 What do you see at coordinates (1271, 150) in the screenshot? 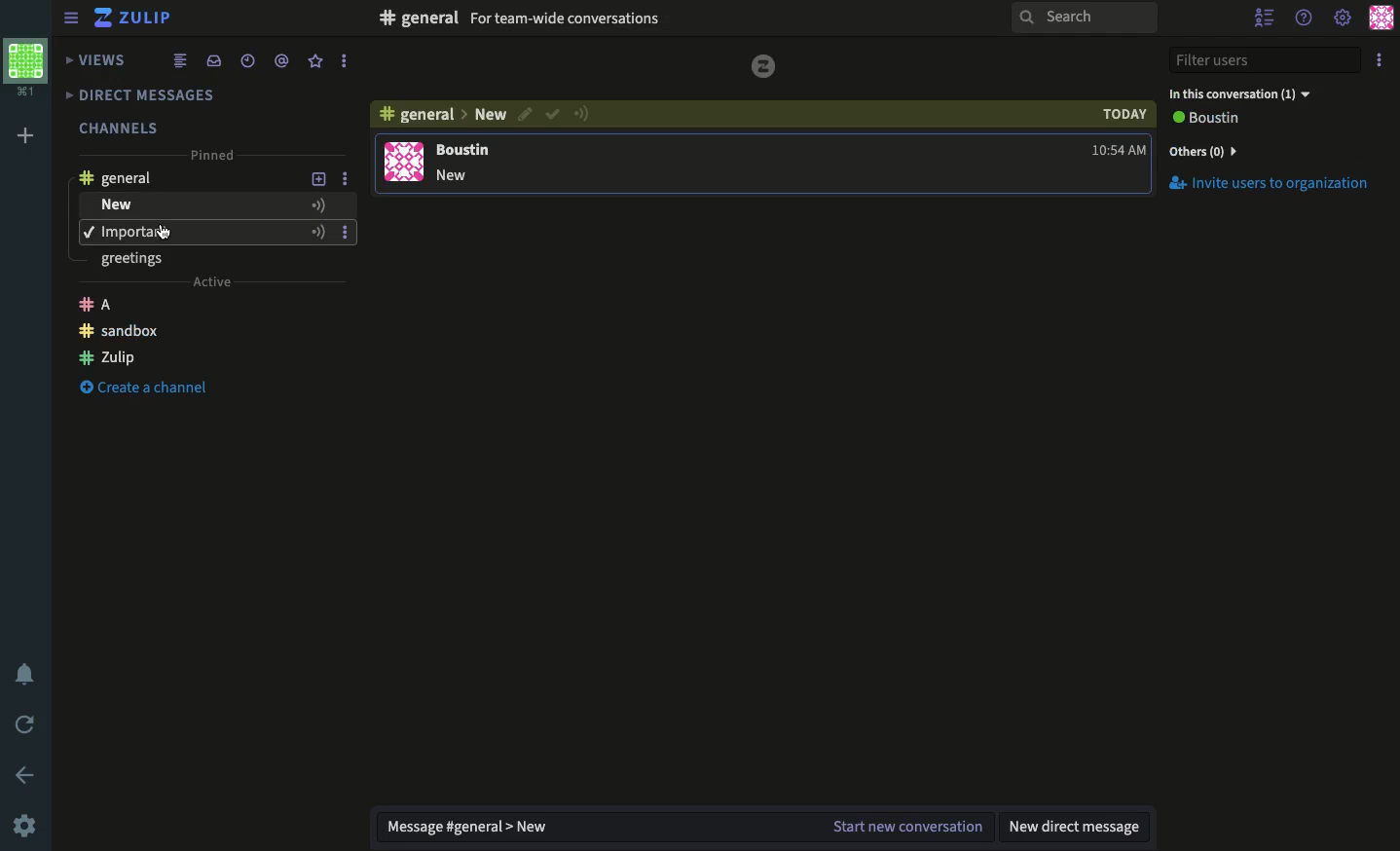
I see `Invites users to organization` at bounding box center [1271, 150].